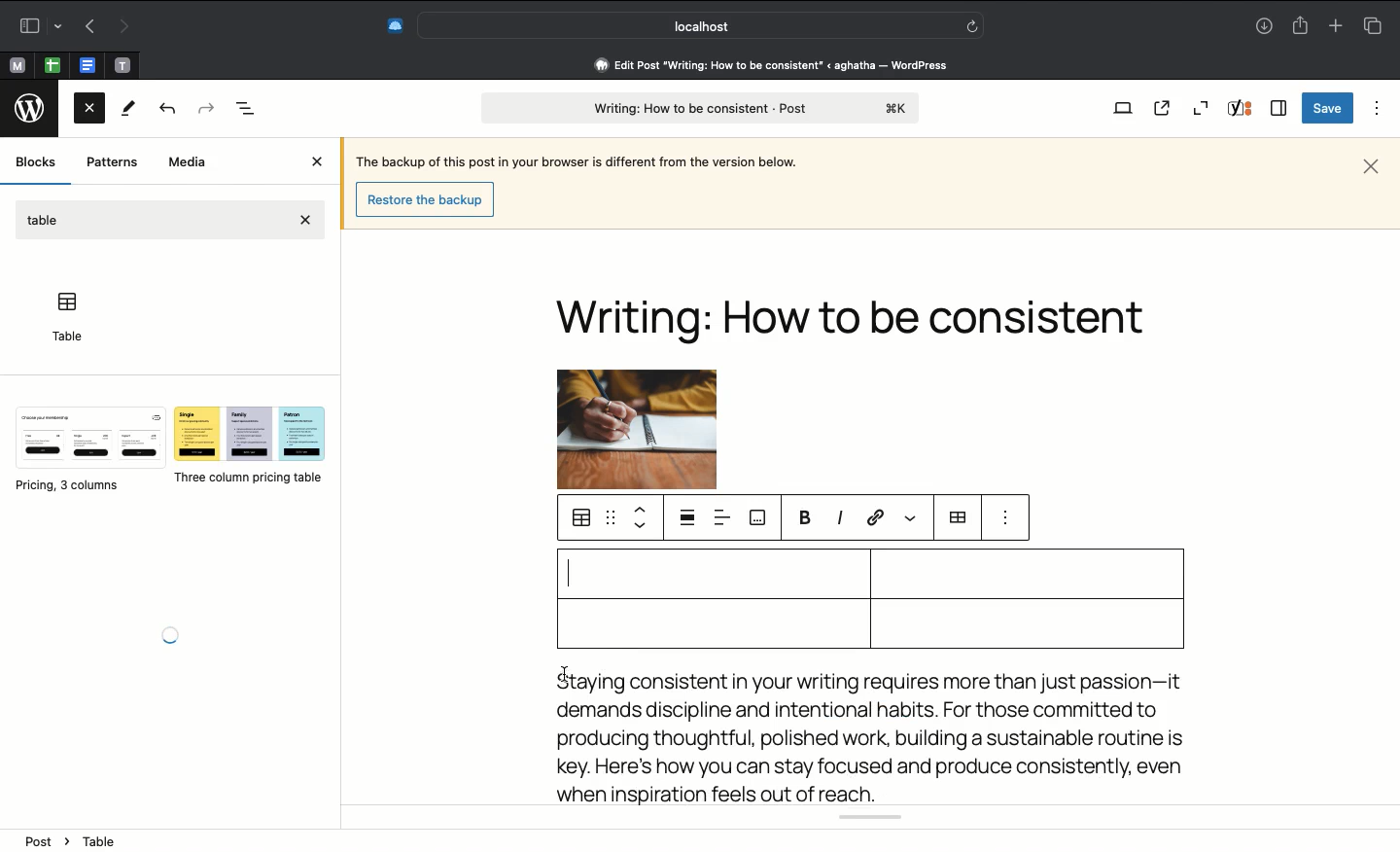 This screenshot has height=852, width=1400. What do you see at coordinates (18, 64) in the screenshot?
I see `Pinned tabs` at bounding box center [18, 64].